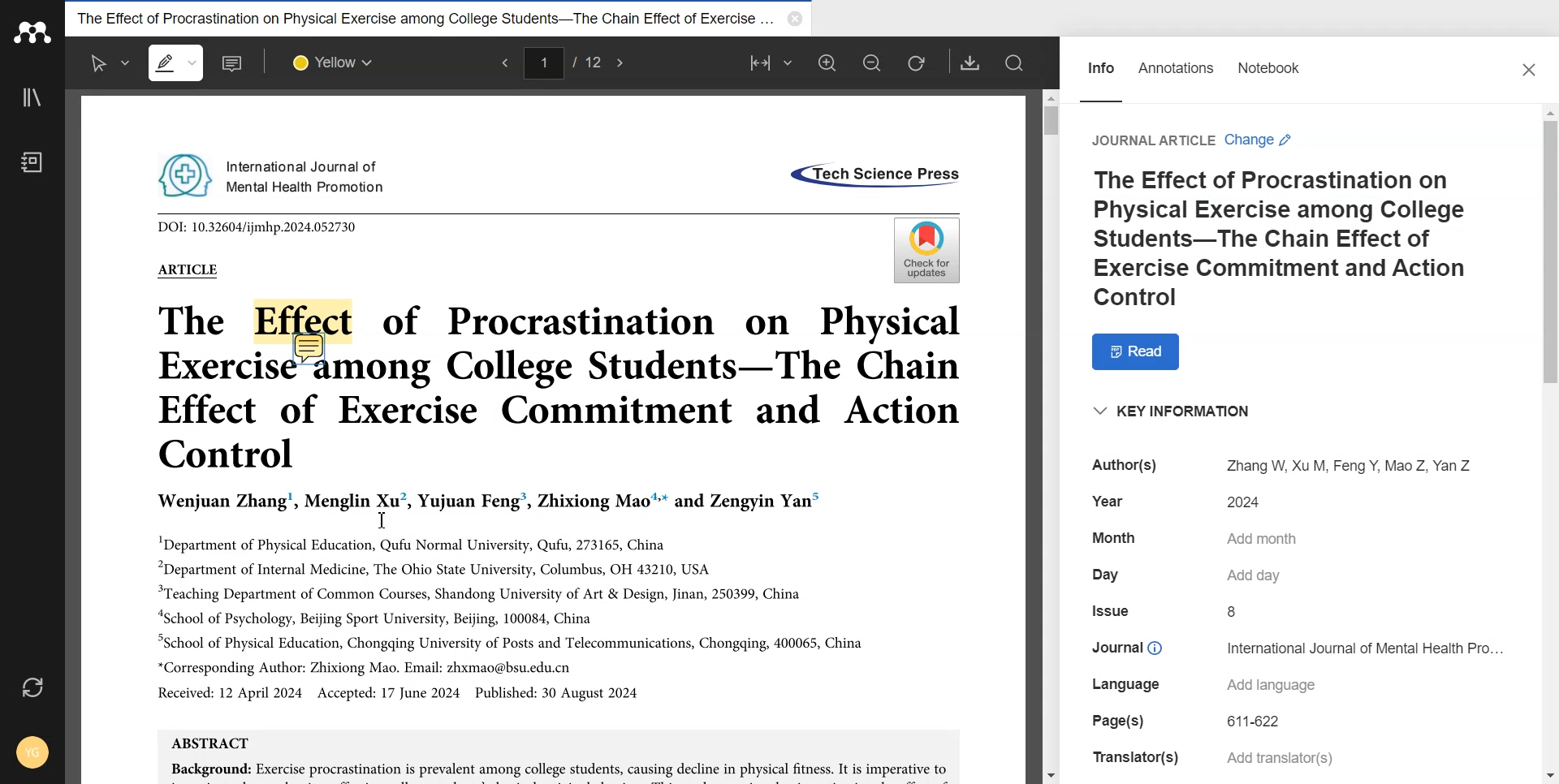  Describe the element at coordinates (1051, 435) in the screenshot. I see `Vertical Scroll bar` at that location.